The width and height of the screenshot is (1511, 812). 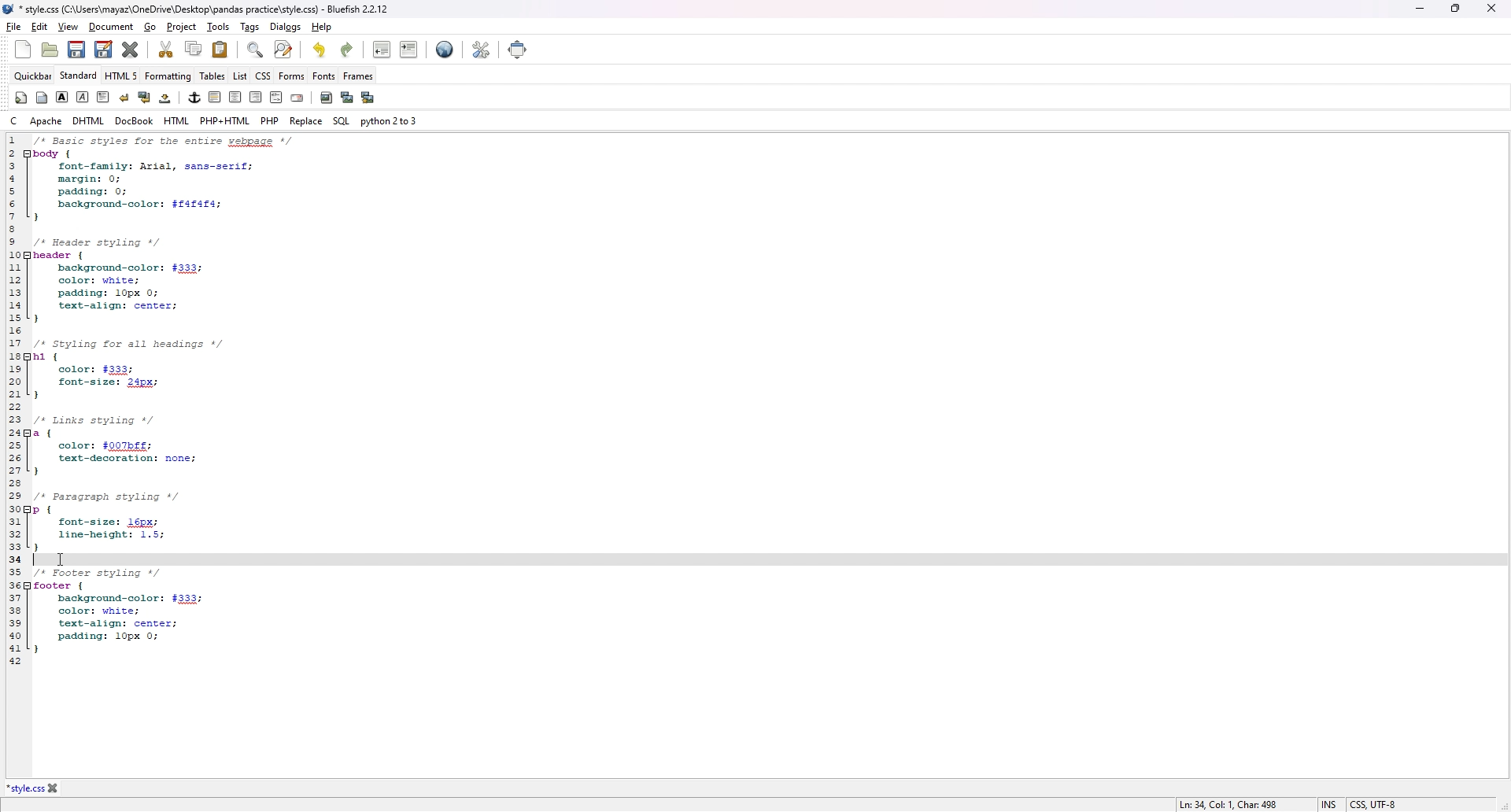 What do you see at coordinates (63, 98) in the screenshot?
I see `bold` at bounding box center [63, 98].